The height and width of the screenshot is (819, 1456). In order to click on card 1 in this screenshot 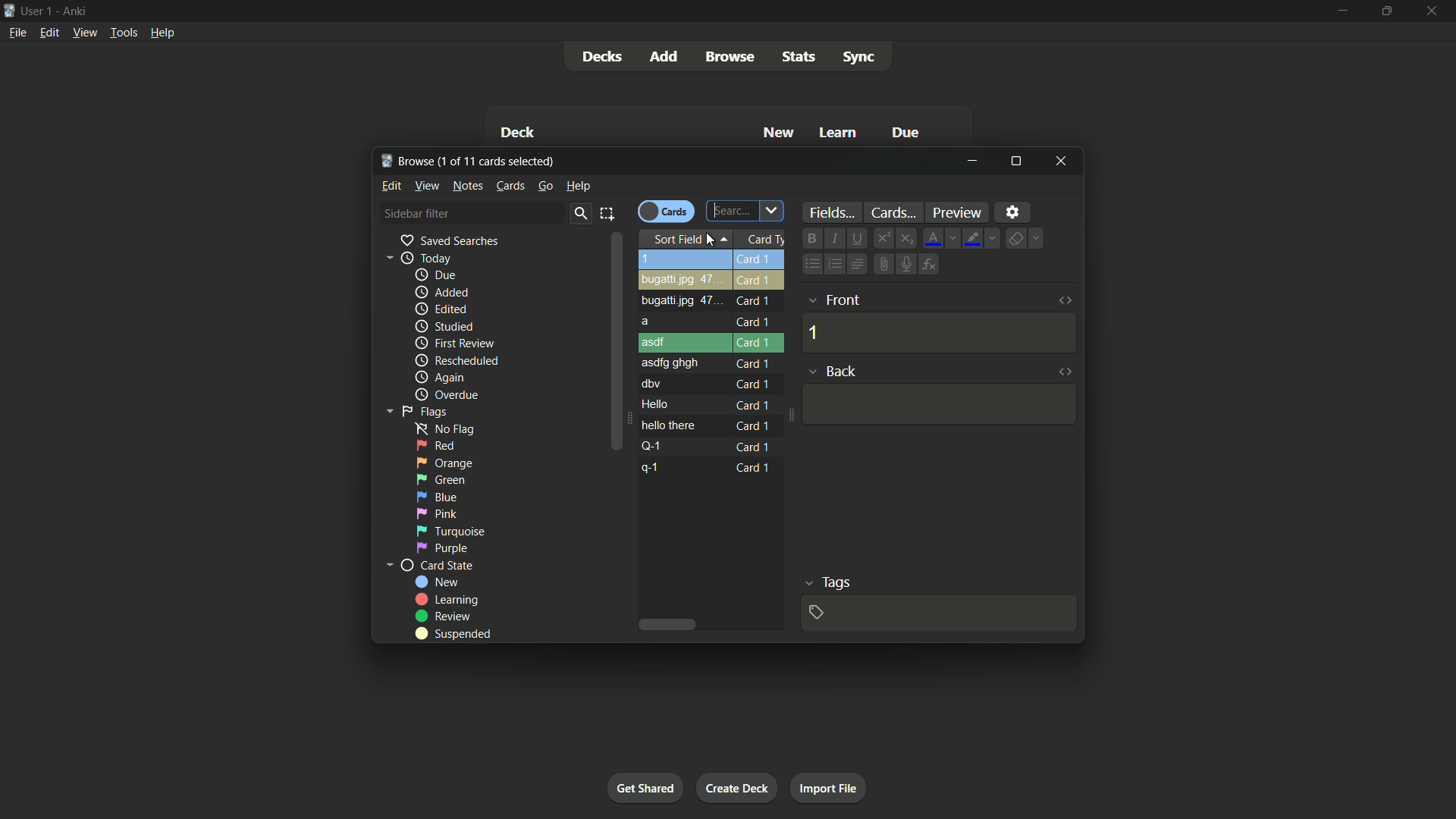, I will do `click(755, 447)`.